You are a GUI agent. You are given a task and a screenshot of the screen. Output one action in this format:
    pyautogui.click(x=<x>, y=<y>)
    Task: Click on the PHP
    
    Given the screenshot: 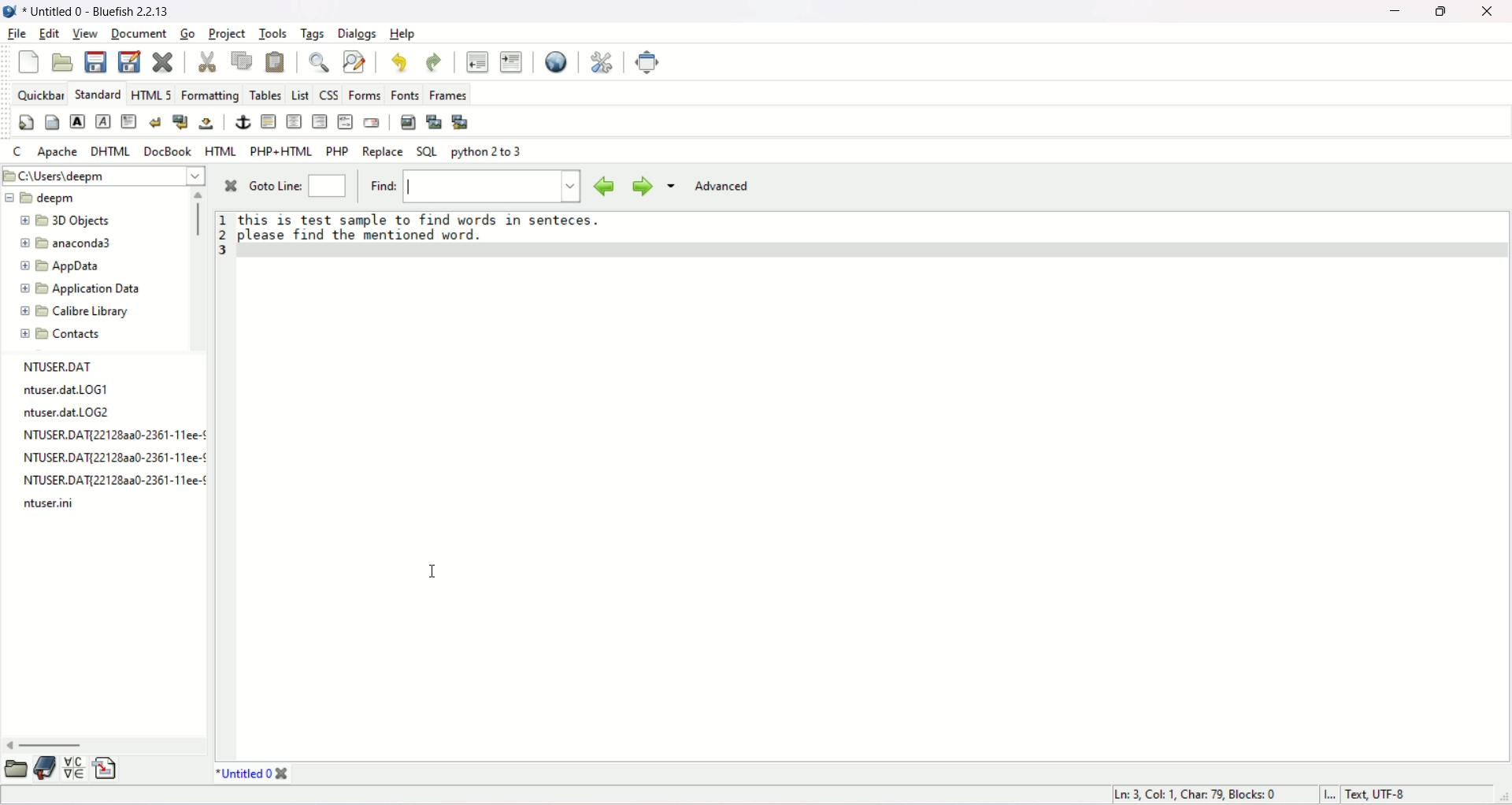 What is the action you would take?
    pyautogui.click(x=337, y=150)
    